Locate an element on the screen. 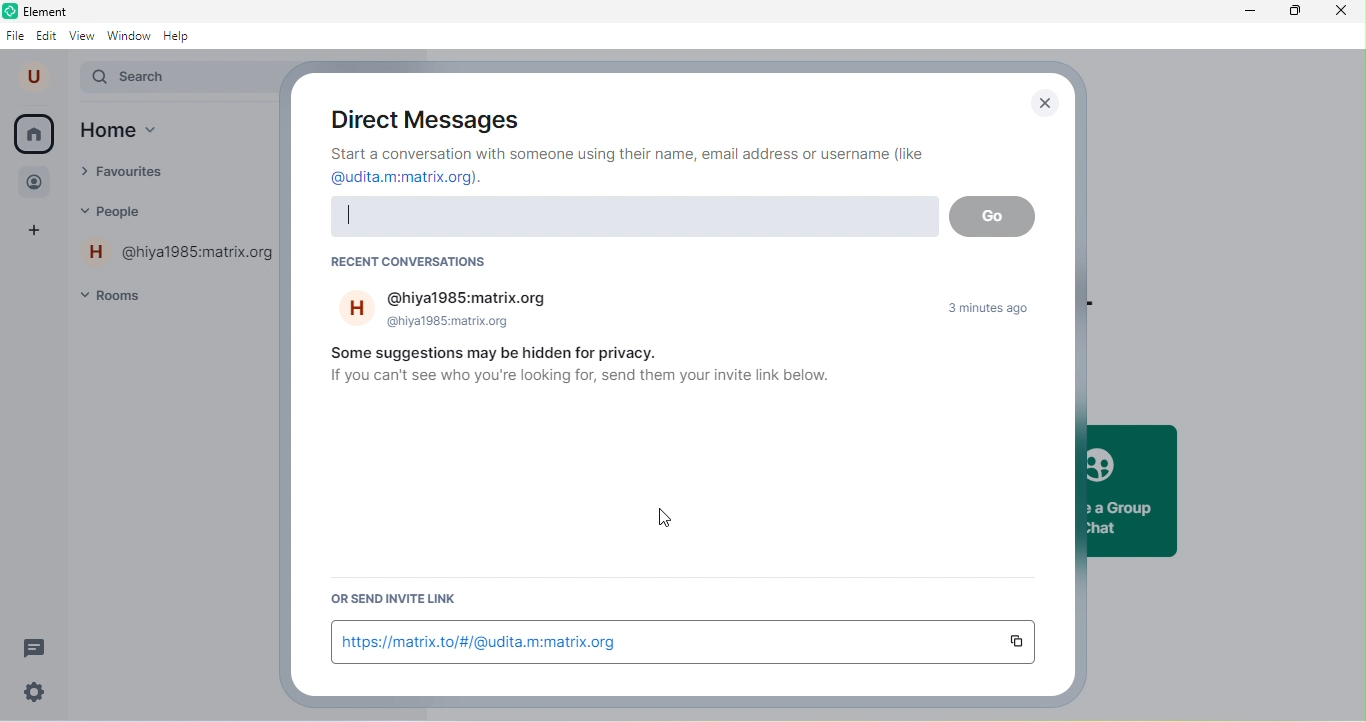 This screenshot has width=1366, height=722. cursor movement is located at coordinates (676, 524).